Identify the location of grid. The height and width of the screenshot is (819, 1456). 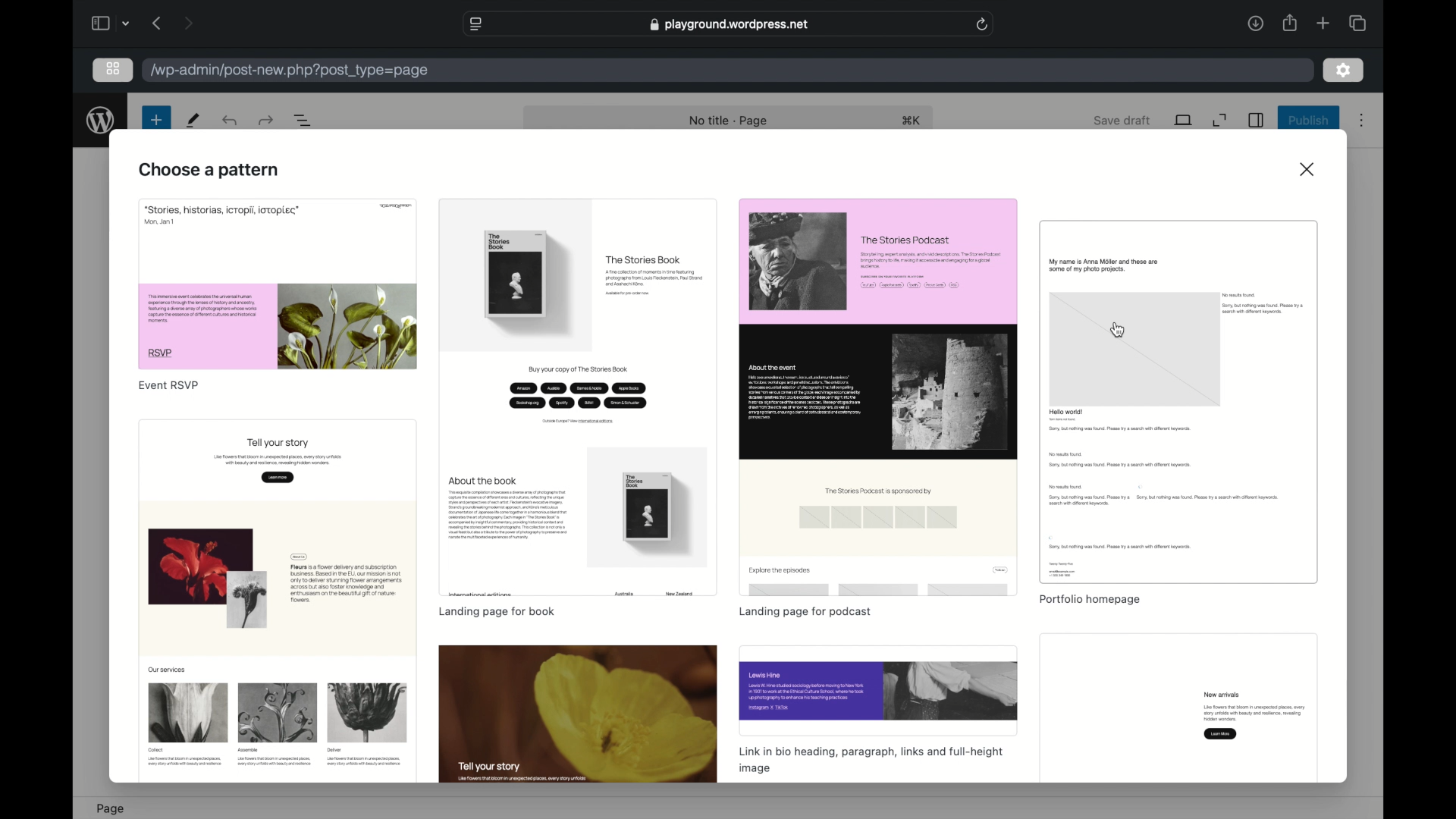
(115, 69).